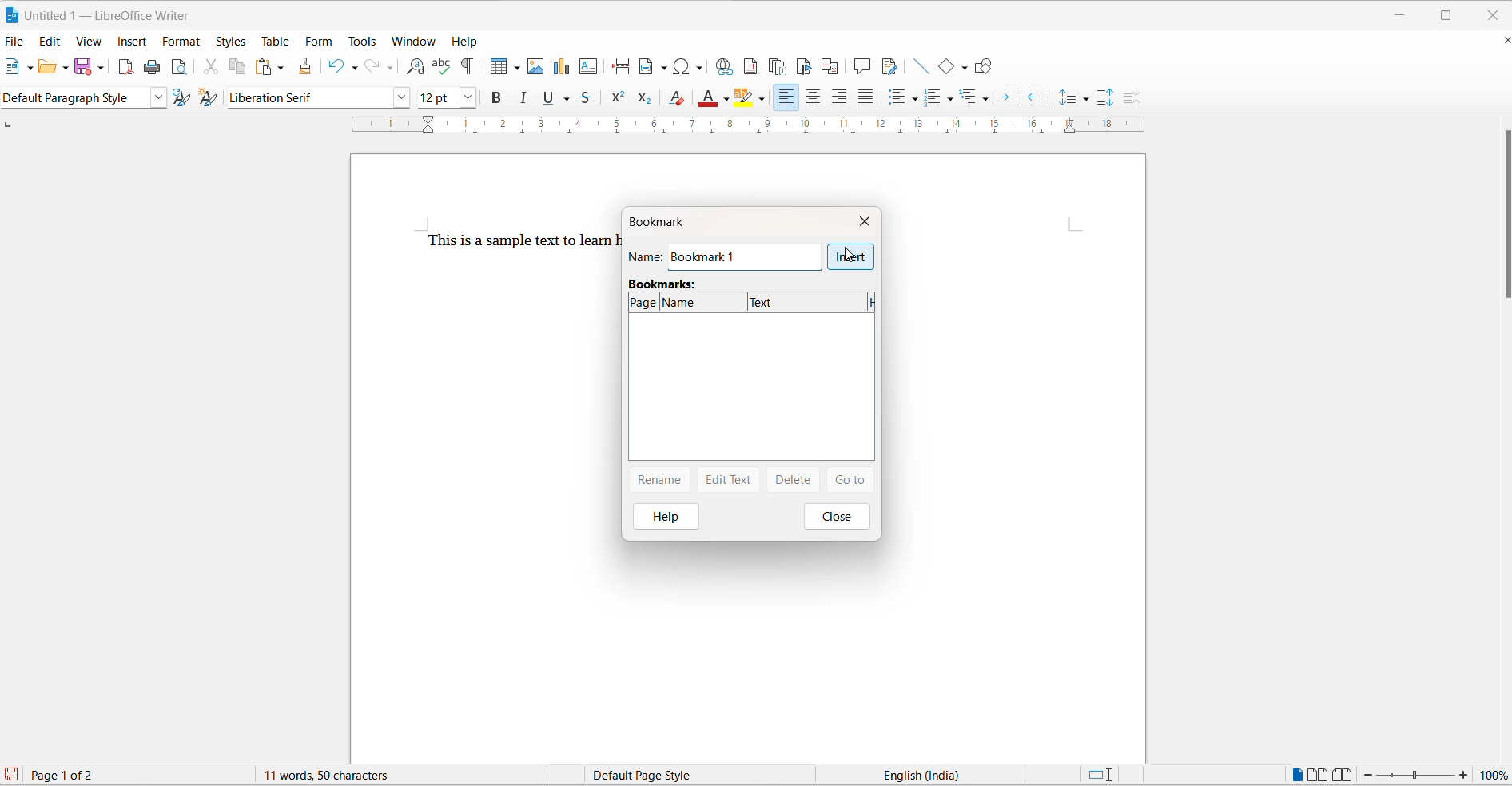  I want to click on add charts, so click(561, 69).